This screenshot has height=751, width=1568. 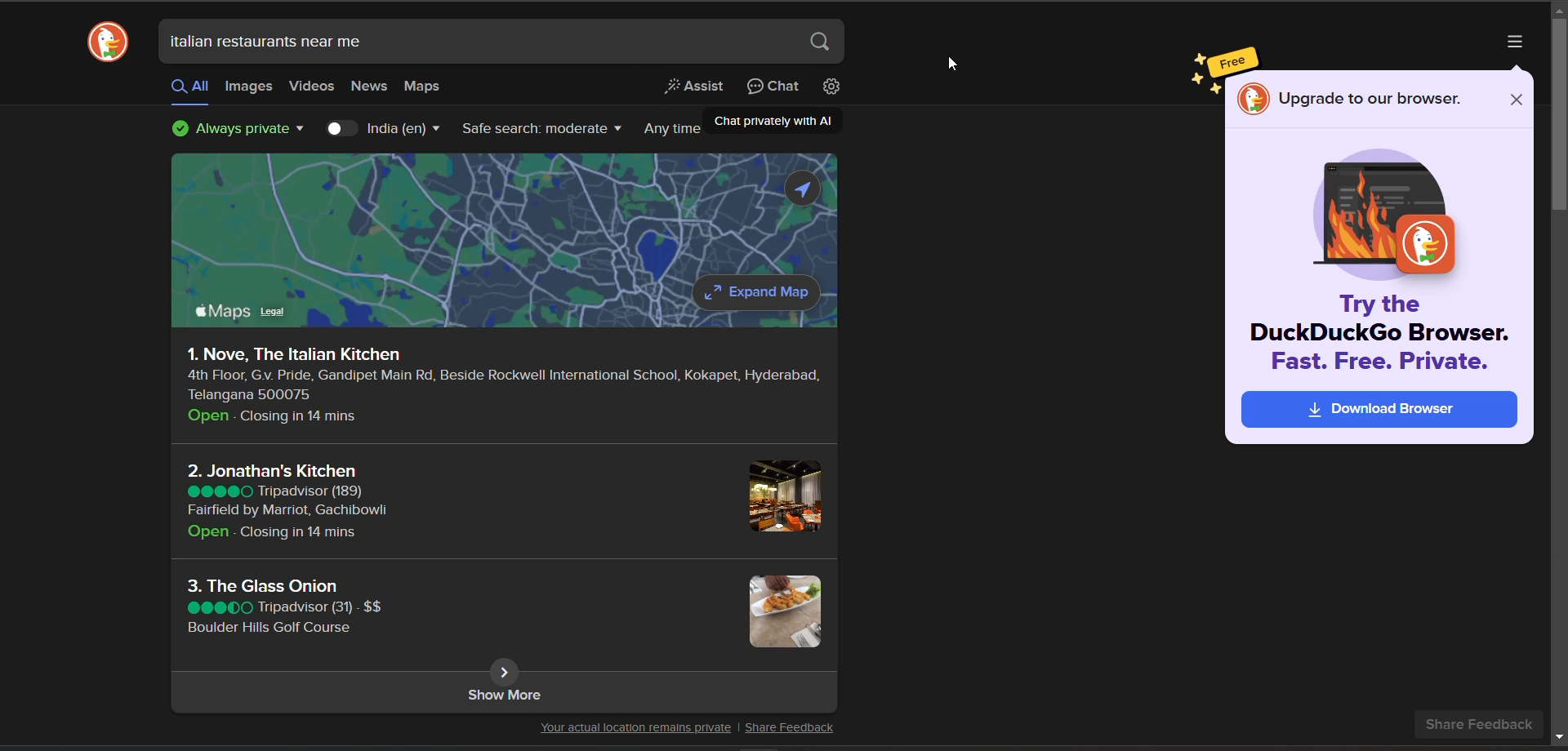 What do you see at coordinates (249, 86) in the screenshot?
I see `Search images` at bounding box center [249, 86].